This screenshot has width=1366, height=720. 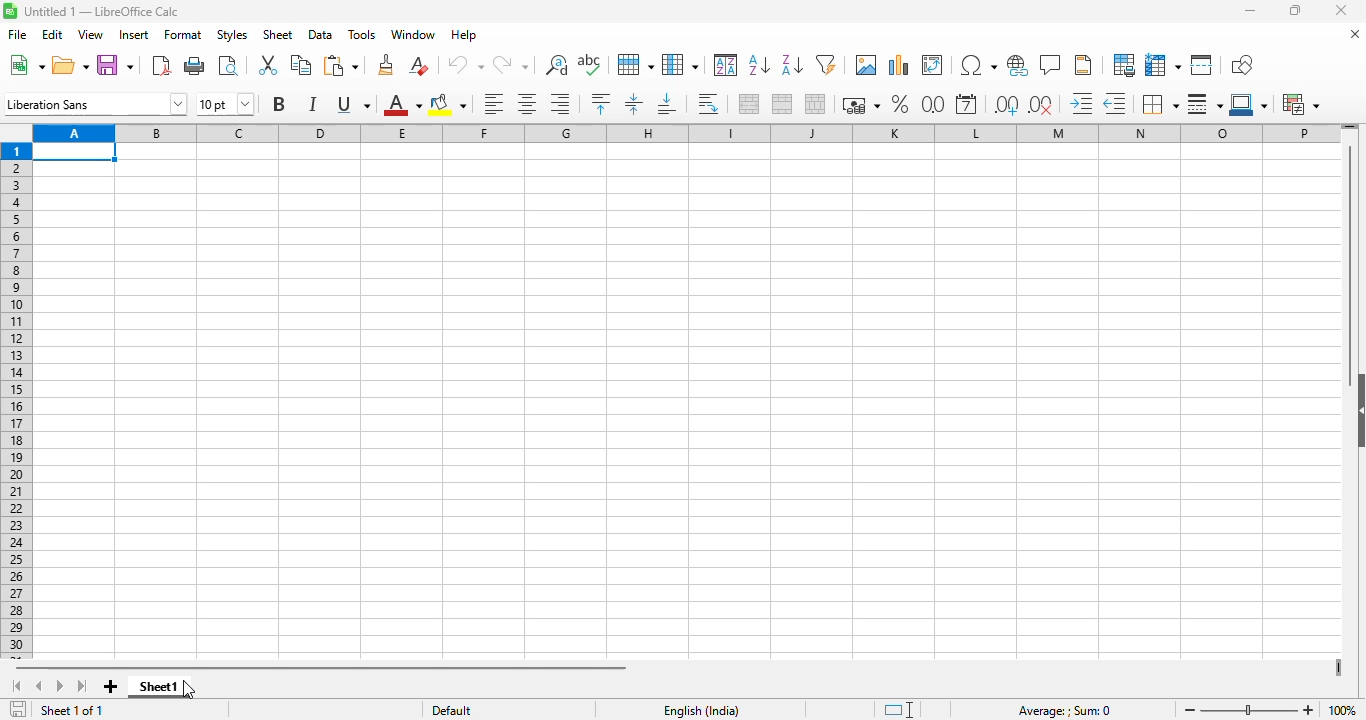 What do you see at coordinates (1342, 710) in the screenshot?
I see `zoom factor` at bounding box center [1342, 710].